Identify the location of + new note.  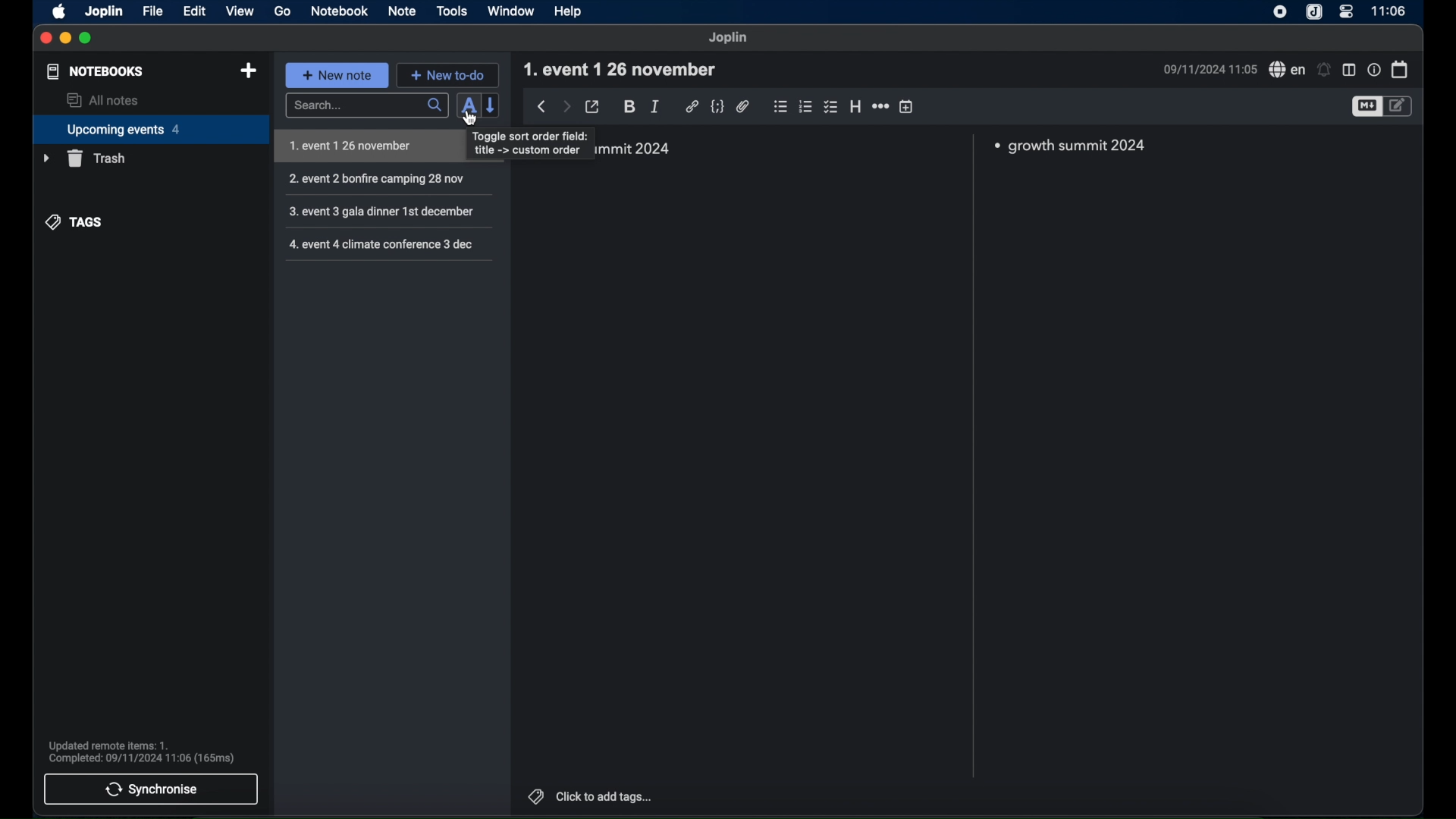
(337, 74).